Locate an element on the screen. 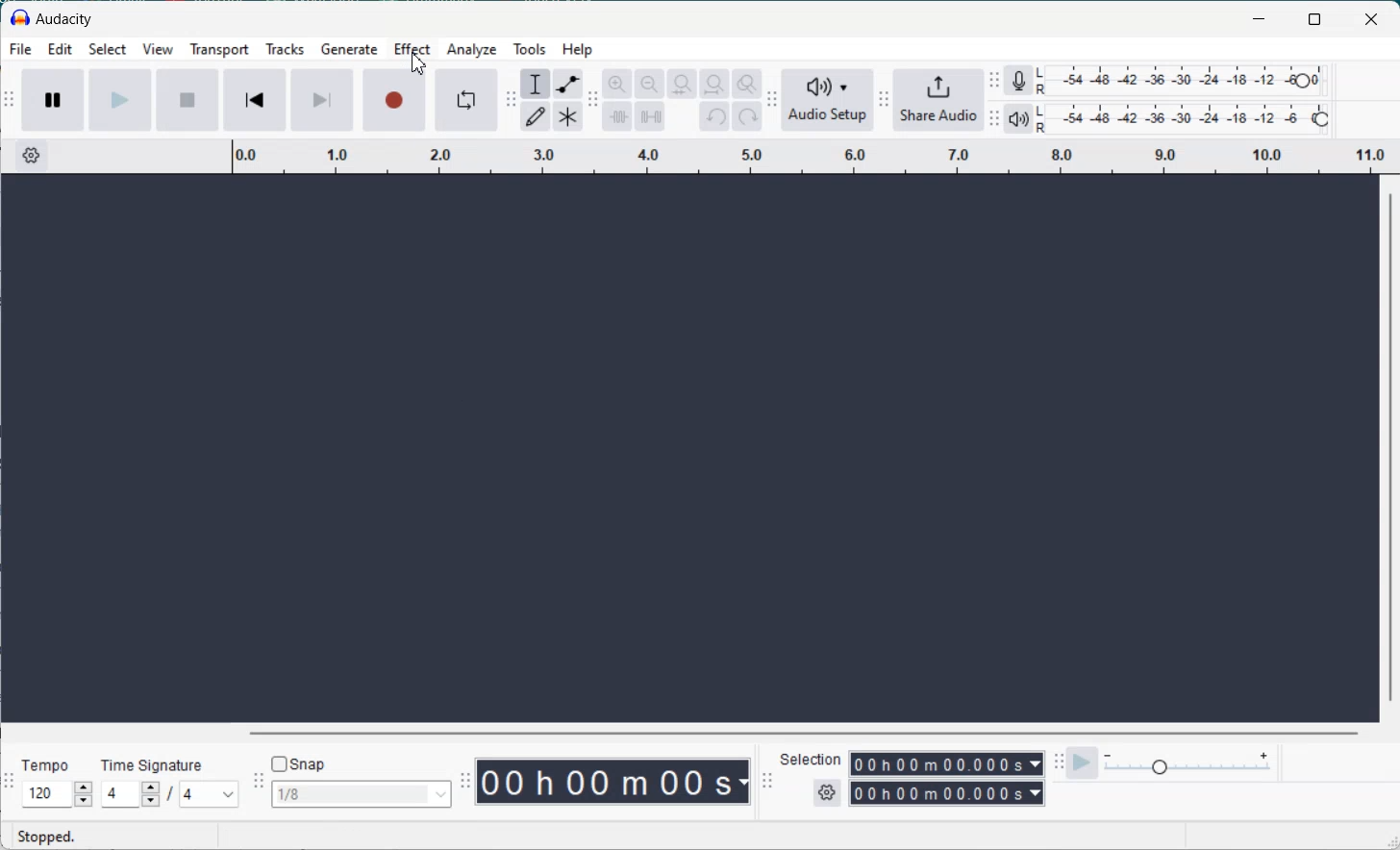 Image resolution: width=1400 pixels, height=850 pixels. Start hh:mm:ss time is located at coordinates (947, 763).